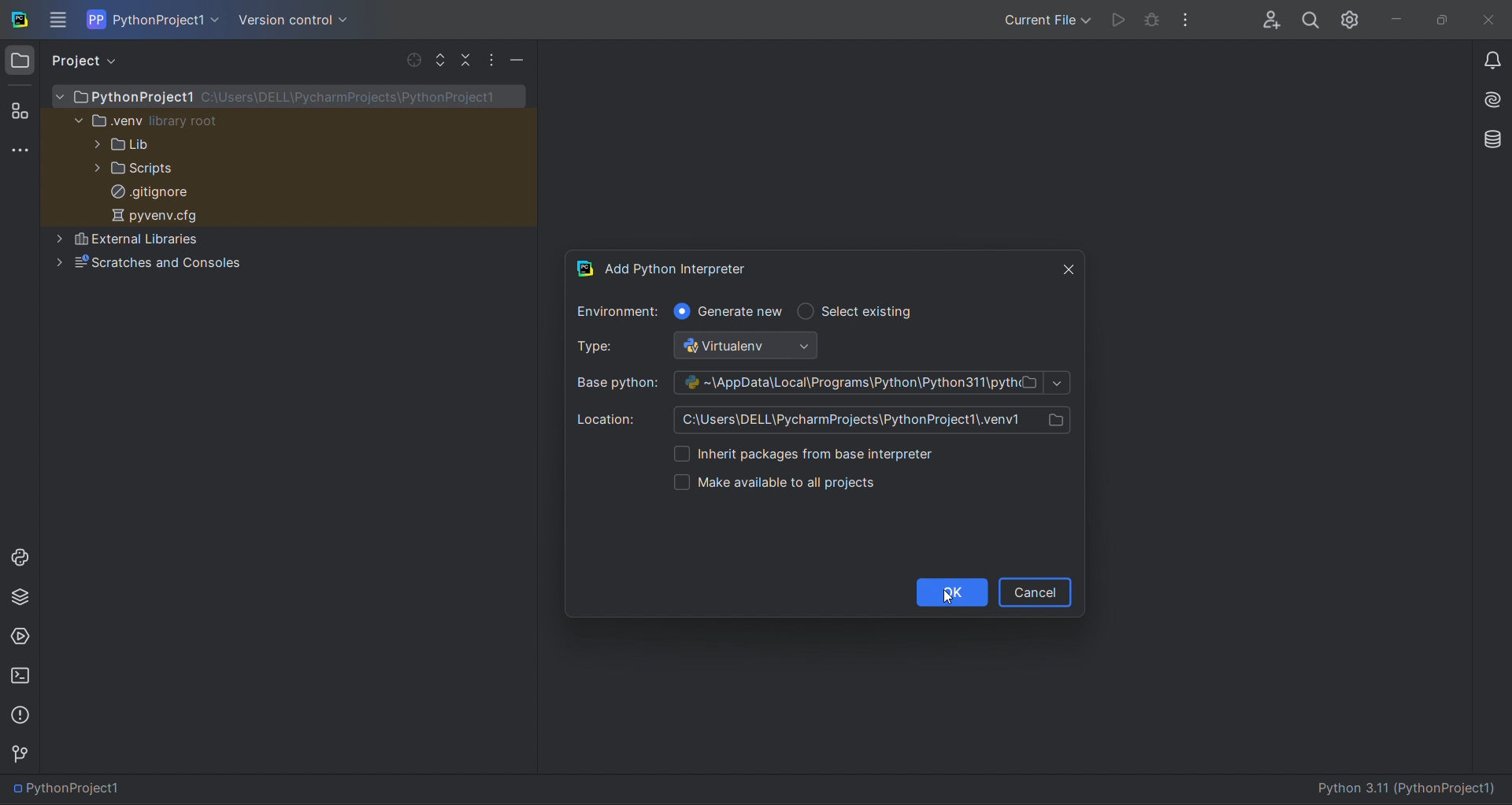  Describe the element at coordinates (713, 347) in the screenshot. I see `type` at that location.